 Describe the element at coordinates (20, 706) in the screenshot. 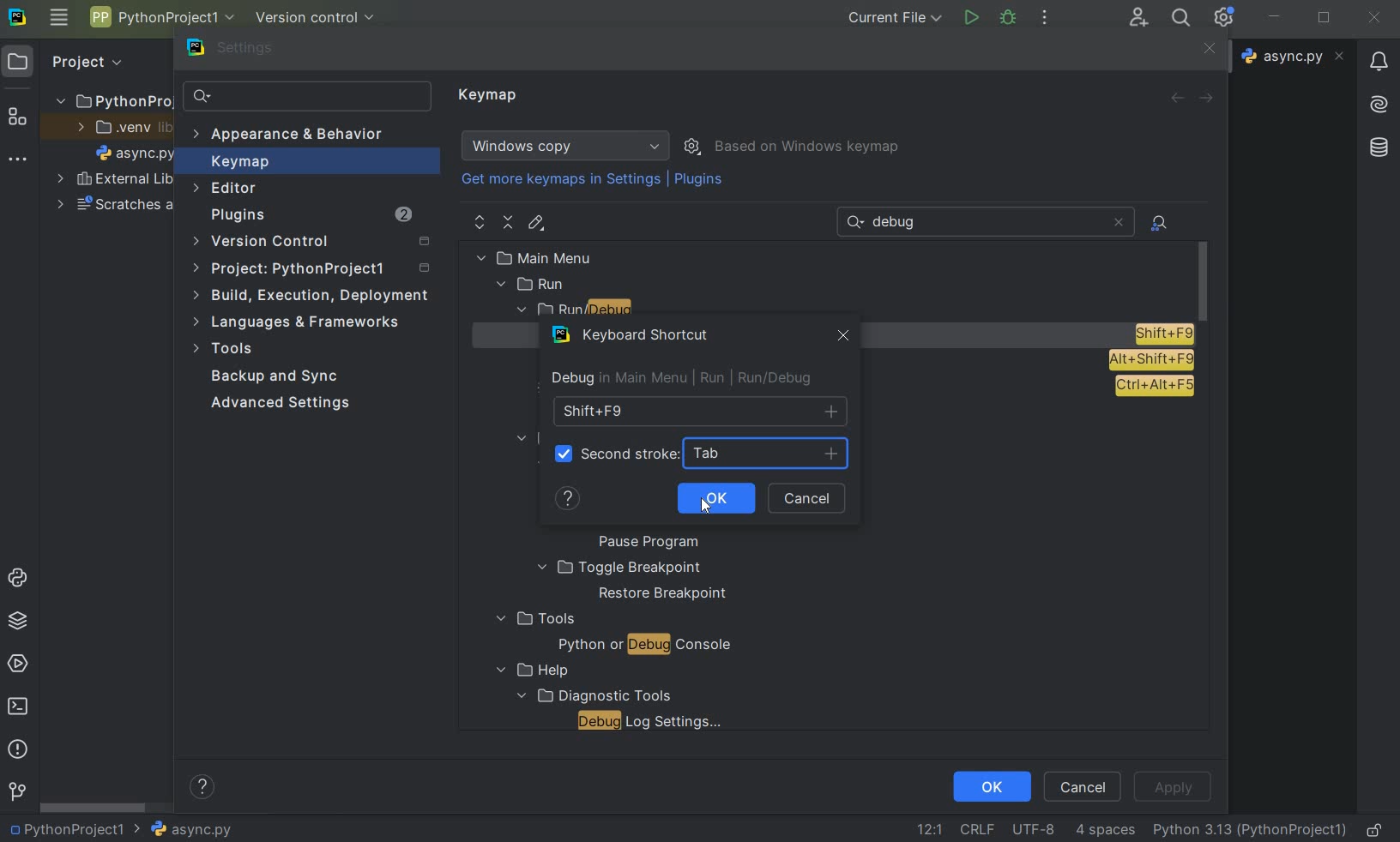

I see `terminal` at that location.